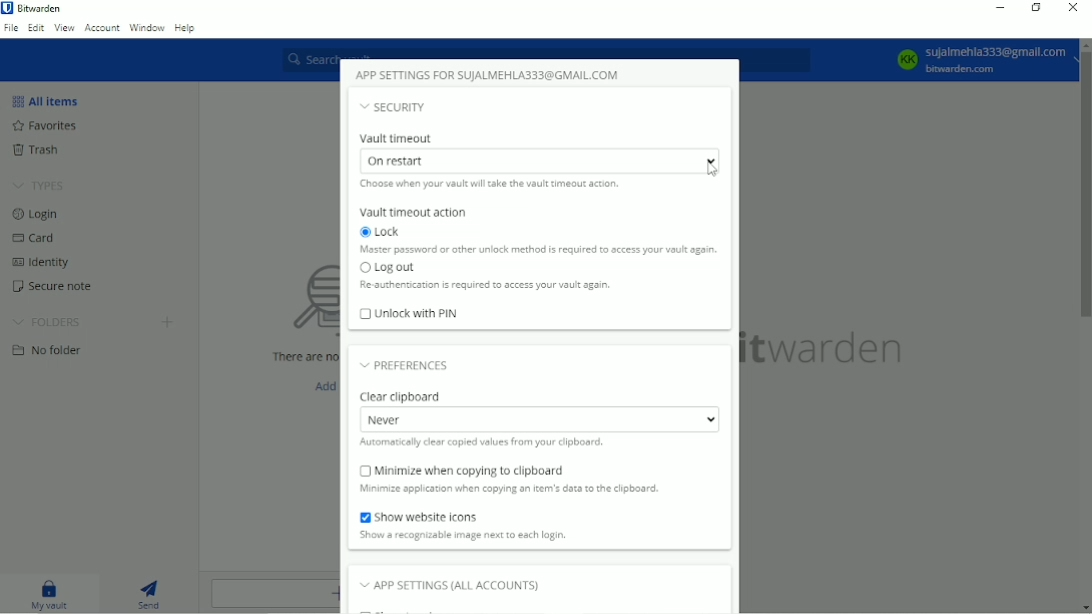  What do you see at coordinates (429, 516) in the screenshot?
I see `Show website icons` at bounding box center [429, 516].